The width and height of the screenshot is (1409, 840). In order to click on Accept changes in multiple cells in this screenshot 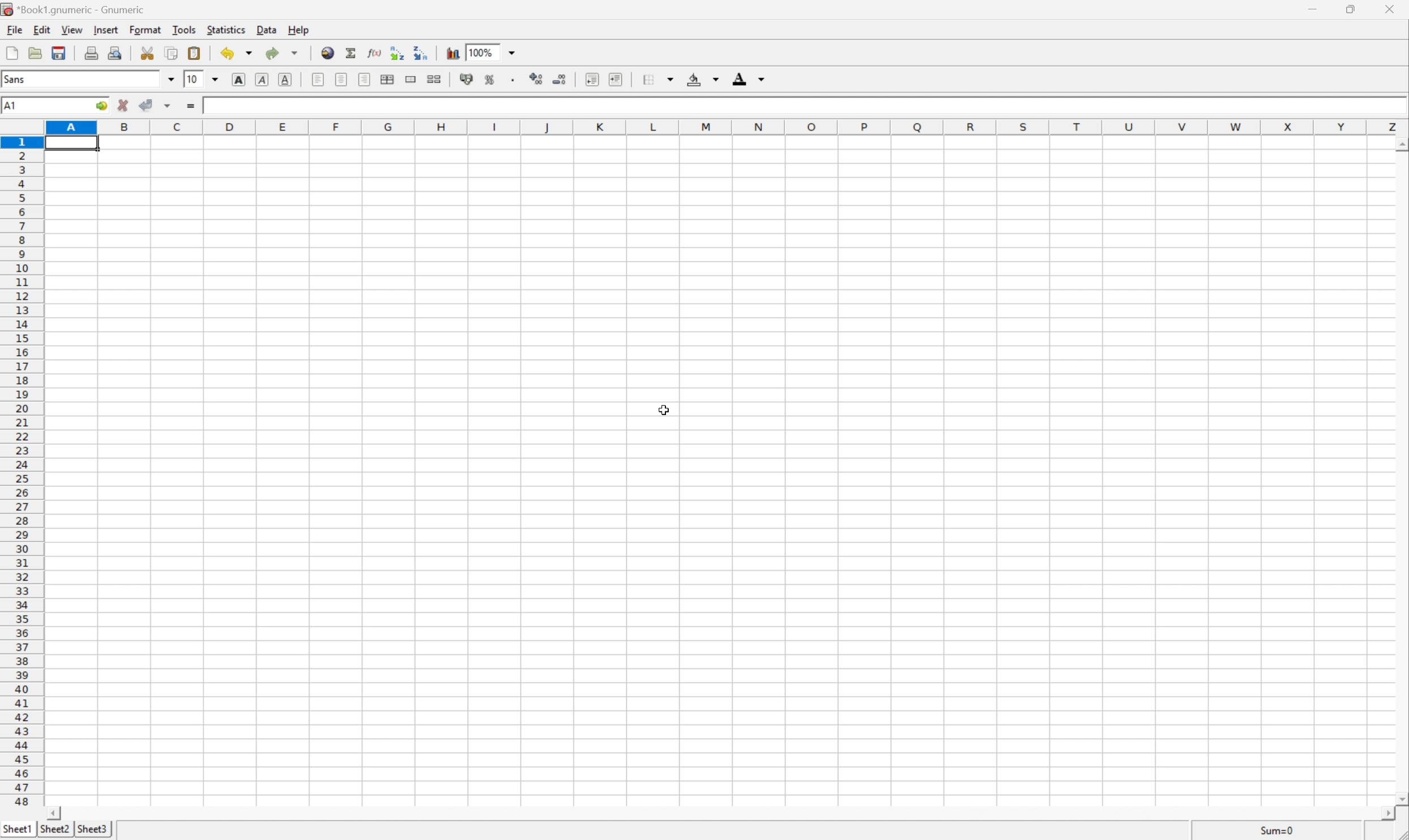, I will do `click(168, 106)`.